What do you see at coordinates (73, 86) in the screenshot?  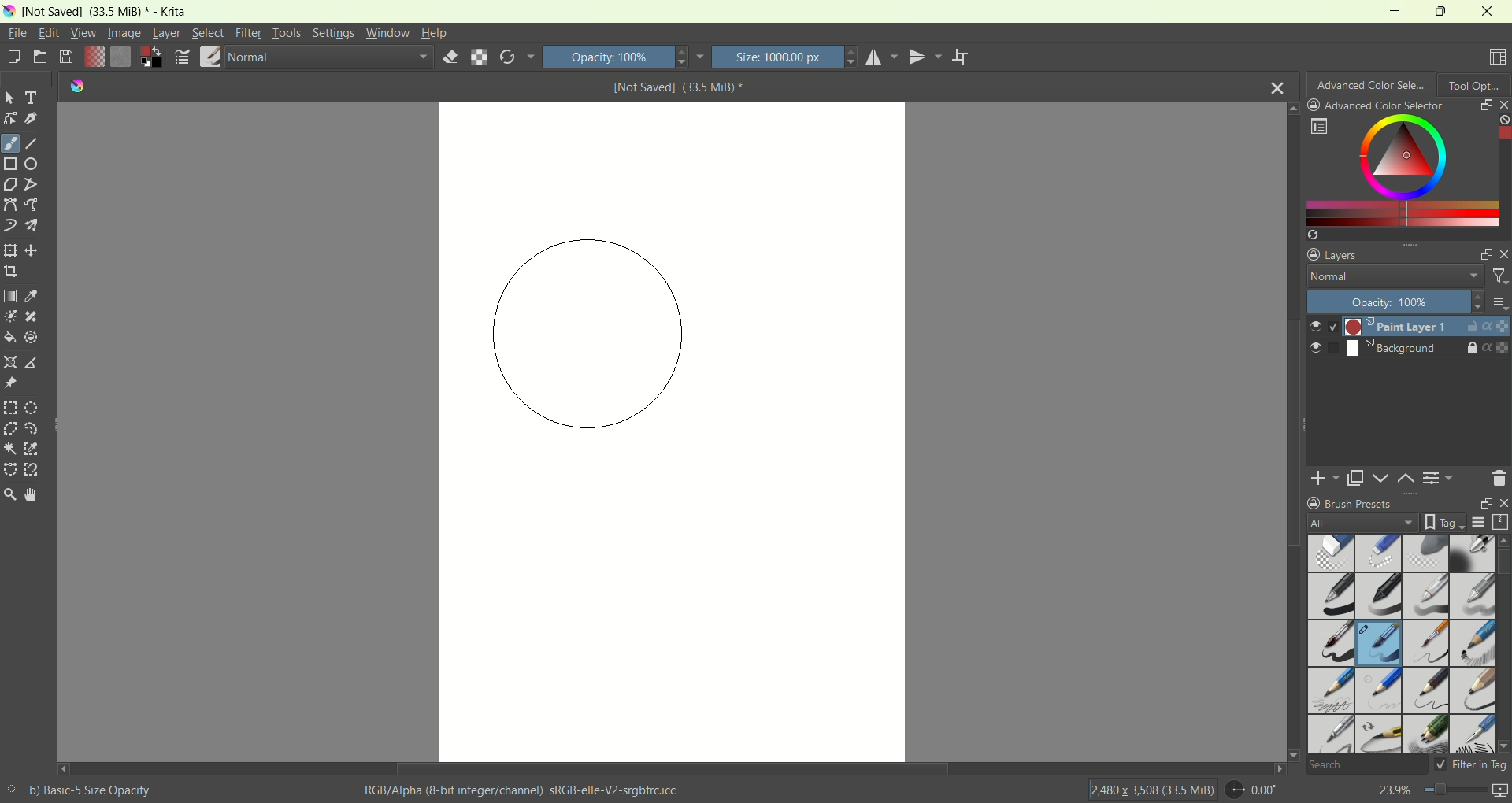 I see `logo` at bounding box center [73, 86].